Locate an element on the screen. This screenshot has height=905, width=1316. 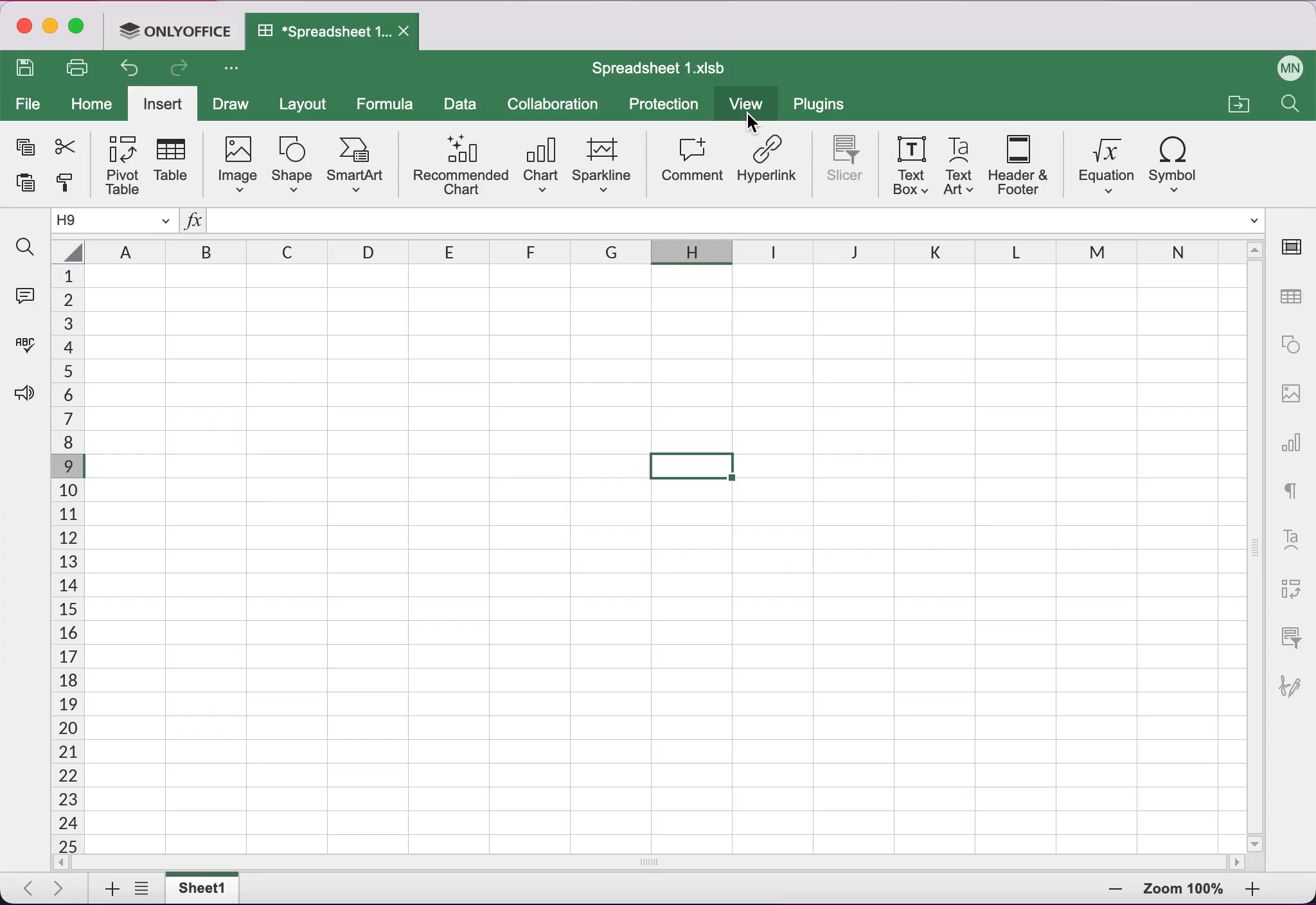
spreadsheet title is located at coordinates (658, 67).